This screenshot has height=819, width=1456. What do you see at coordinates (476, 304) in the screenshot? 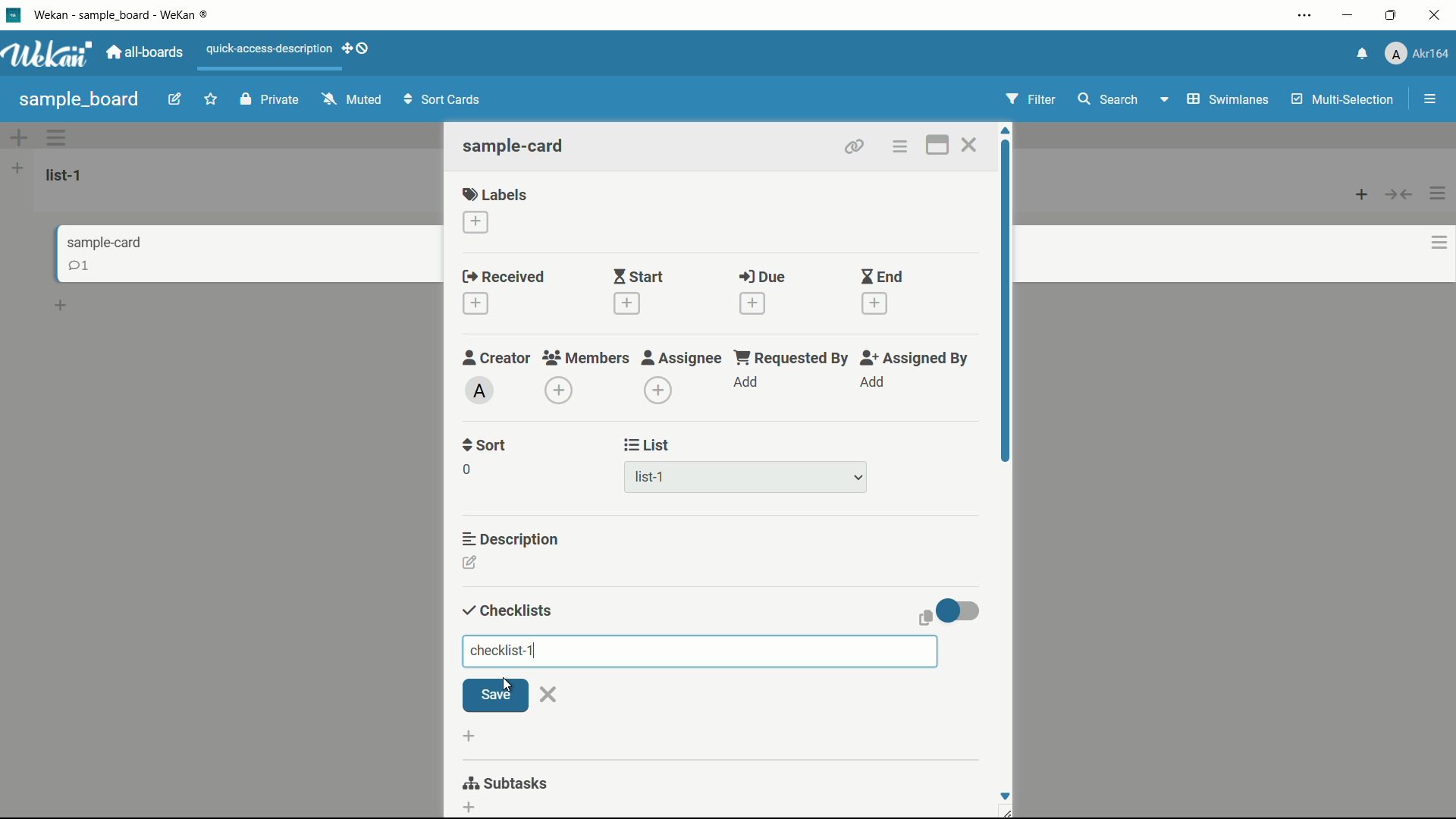
I see `add date` at bounding box center [476, 304].